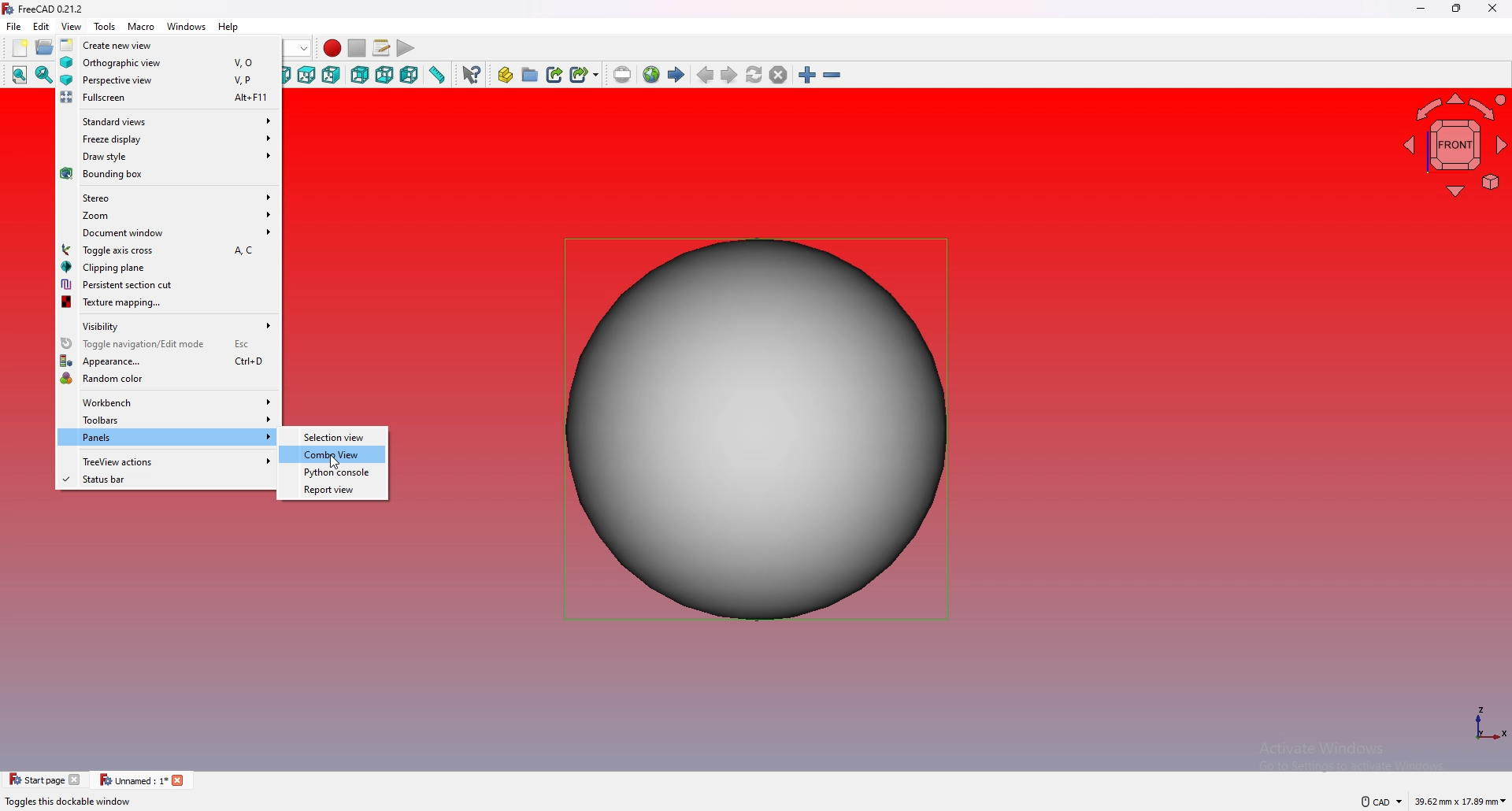 The image size is (1512, 811). I want to click on cursor, so click(335, 464).